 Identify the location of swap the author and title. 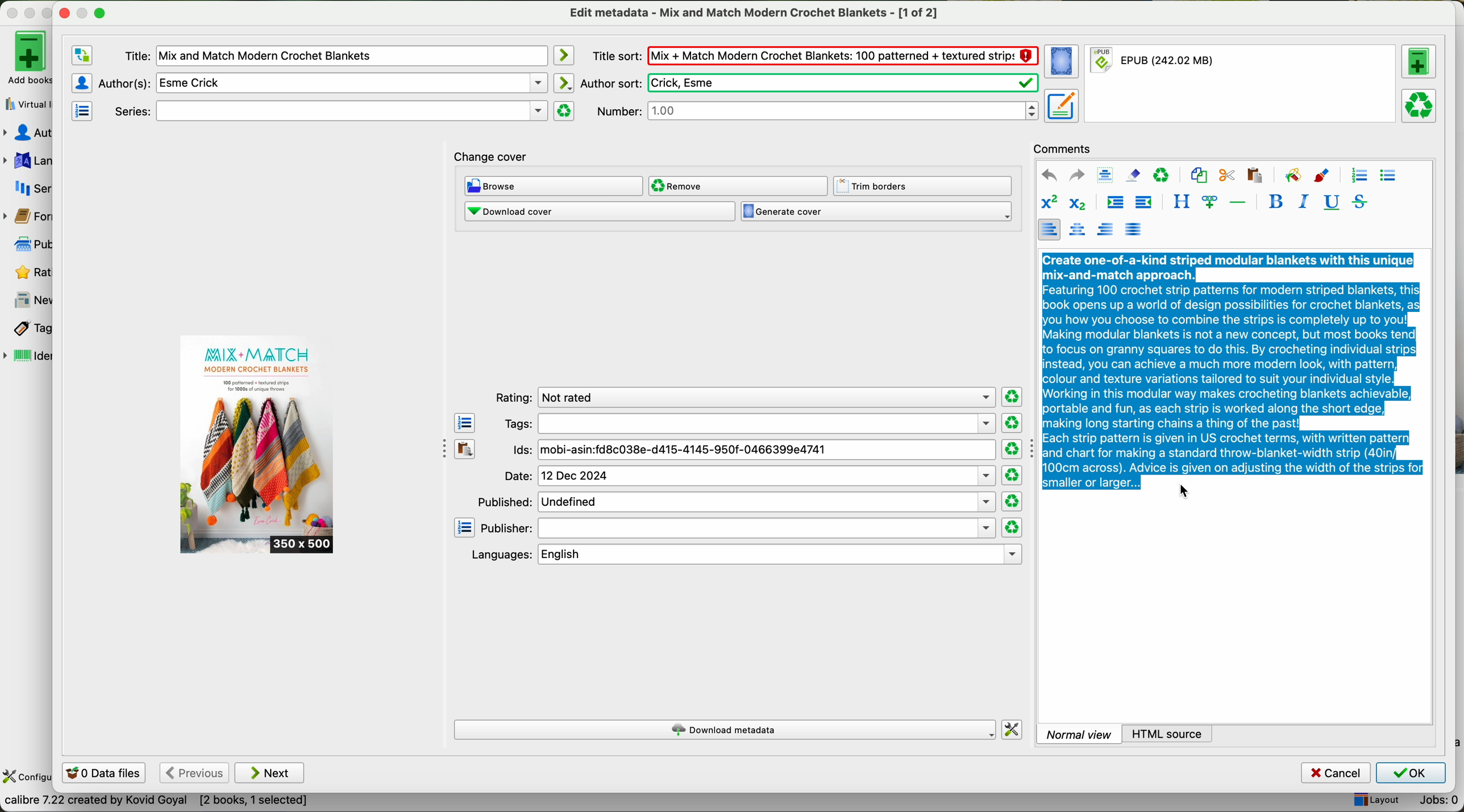
(82, 56).